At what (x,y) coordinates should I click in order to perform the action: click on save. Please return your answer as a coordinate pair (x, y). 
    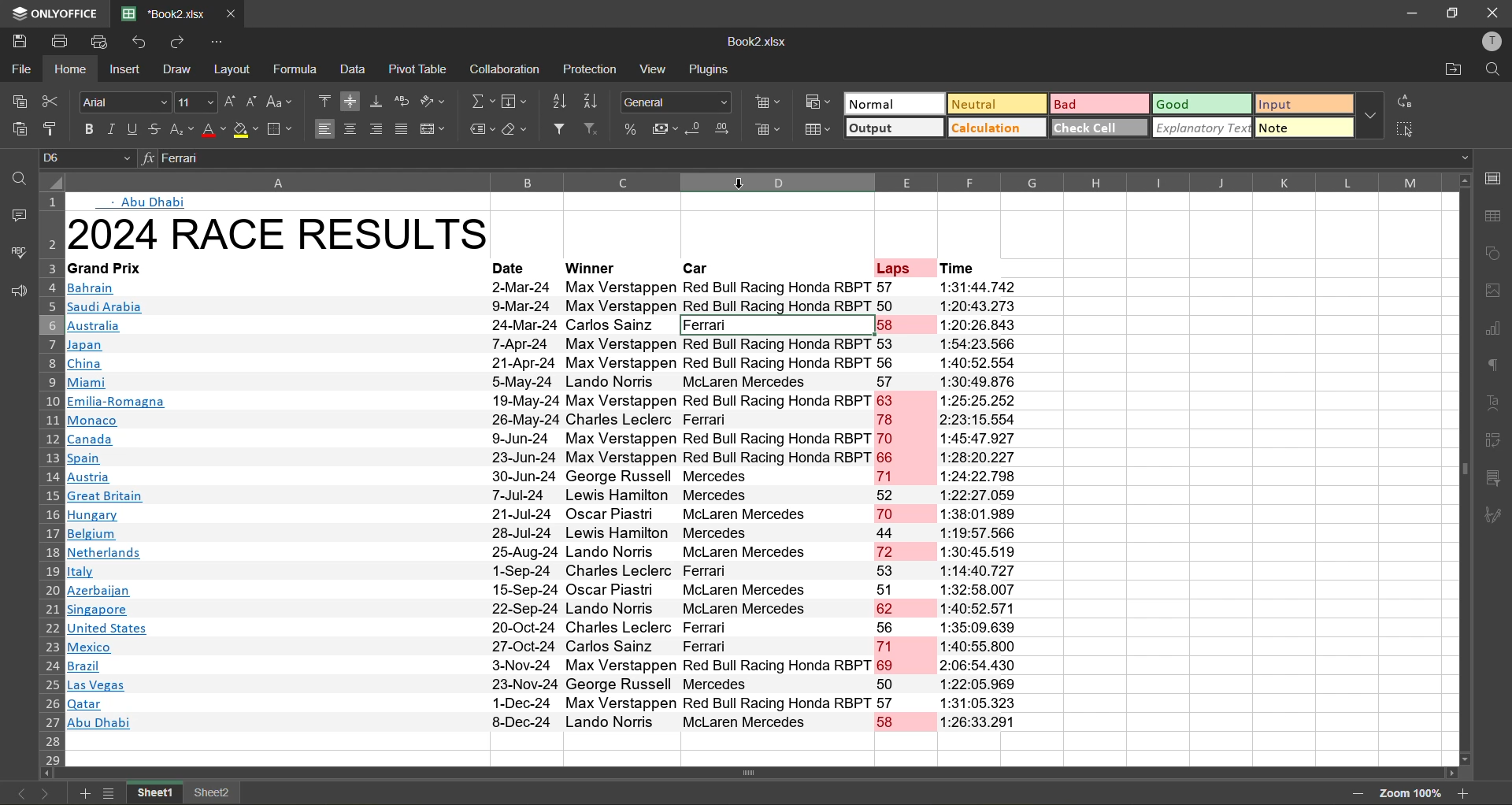
    Looking at the image, I should click on (15, 39).